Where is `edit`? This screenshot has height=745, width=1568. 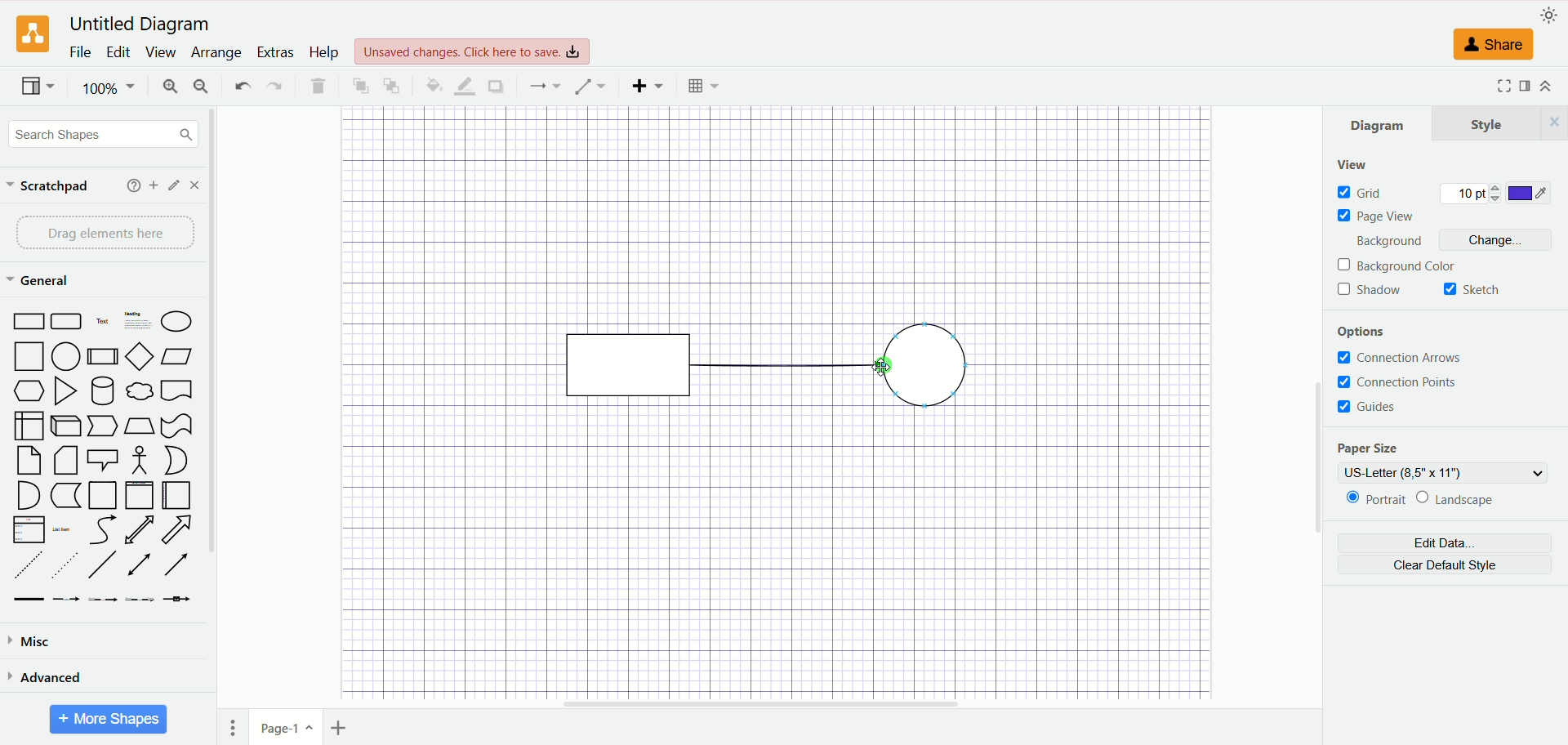 edit is located at coordinates (174, 185).